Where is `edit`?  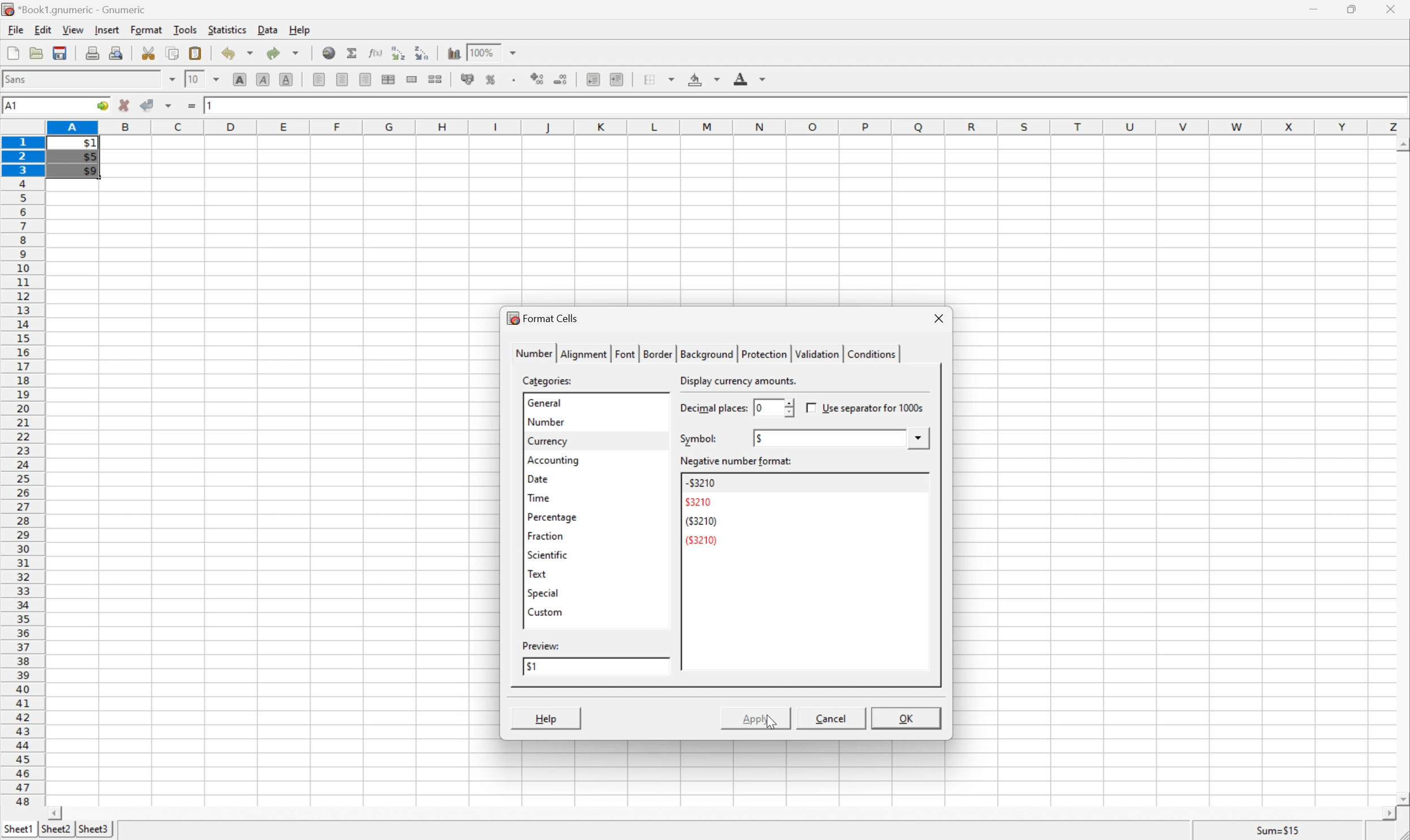
edit is located at coordinates (44, 28).